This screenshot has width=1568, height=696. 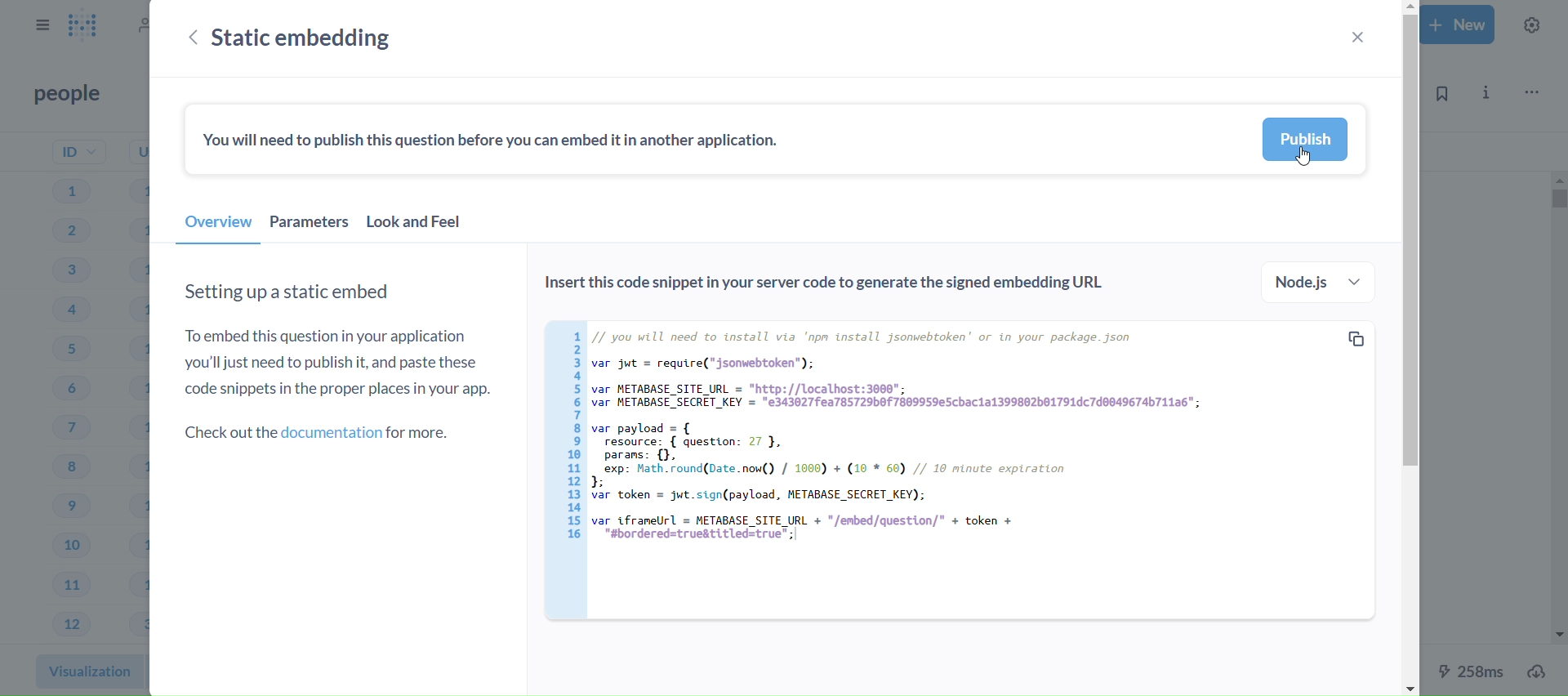 What do you see at coordinates (1409, 348) in the screenshot?
I see `vertical scroll bar` at bounding box center [1409, 348].